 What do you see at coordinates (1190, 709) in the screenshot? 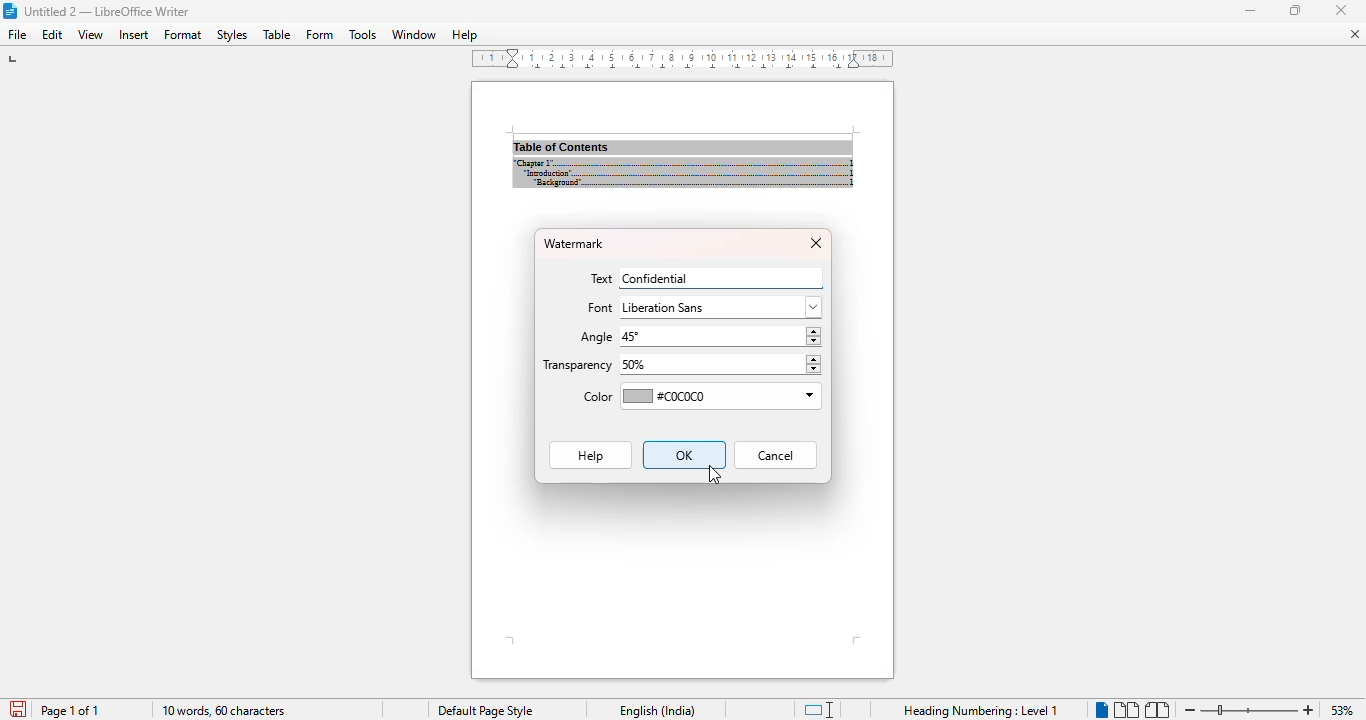
I see `zoom out` at bounding box center [1190, 709].